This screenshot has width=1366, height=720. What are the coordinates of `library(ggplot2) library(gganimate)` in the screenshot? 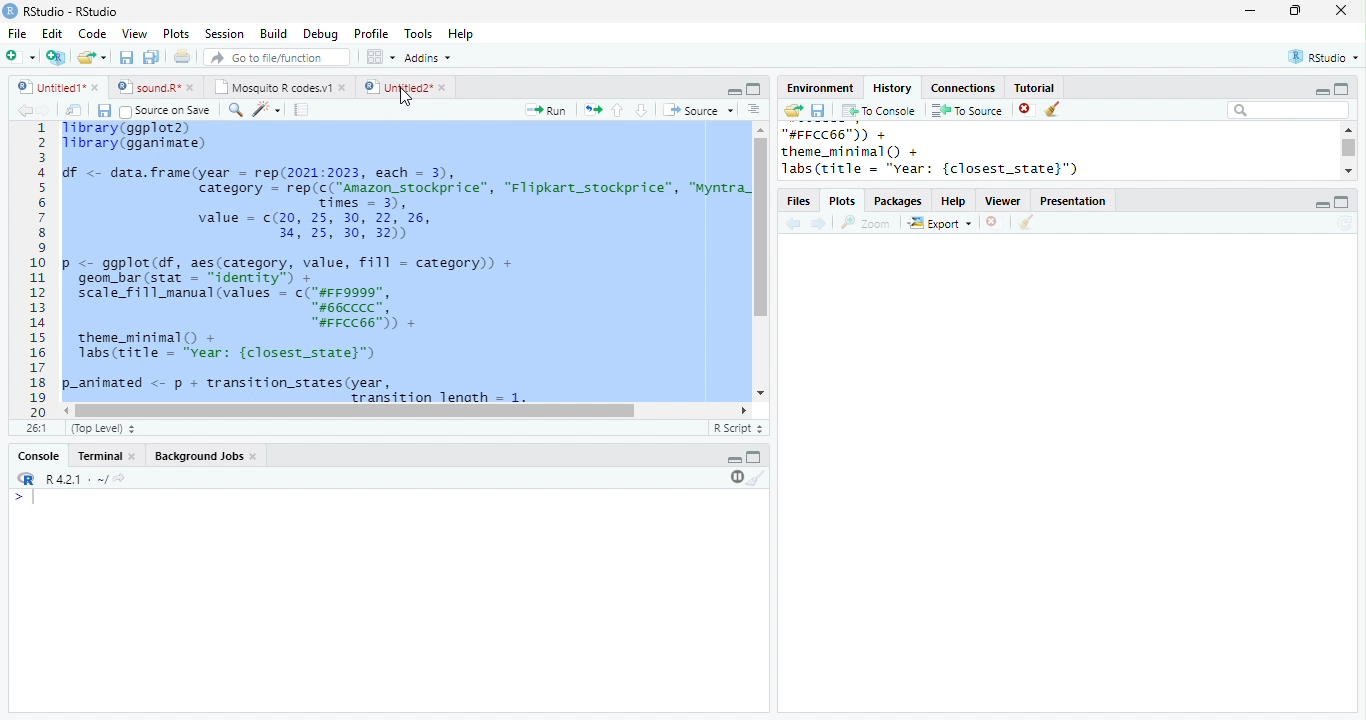 It's located at (145, 136).